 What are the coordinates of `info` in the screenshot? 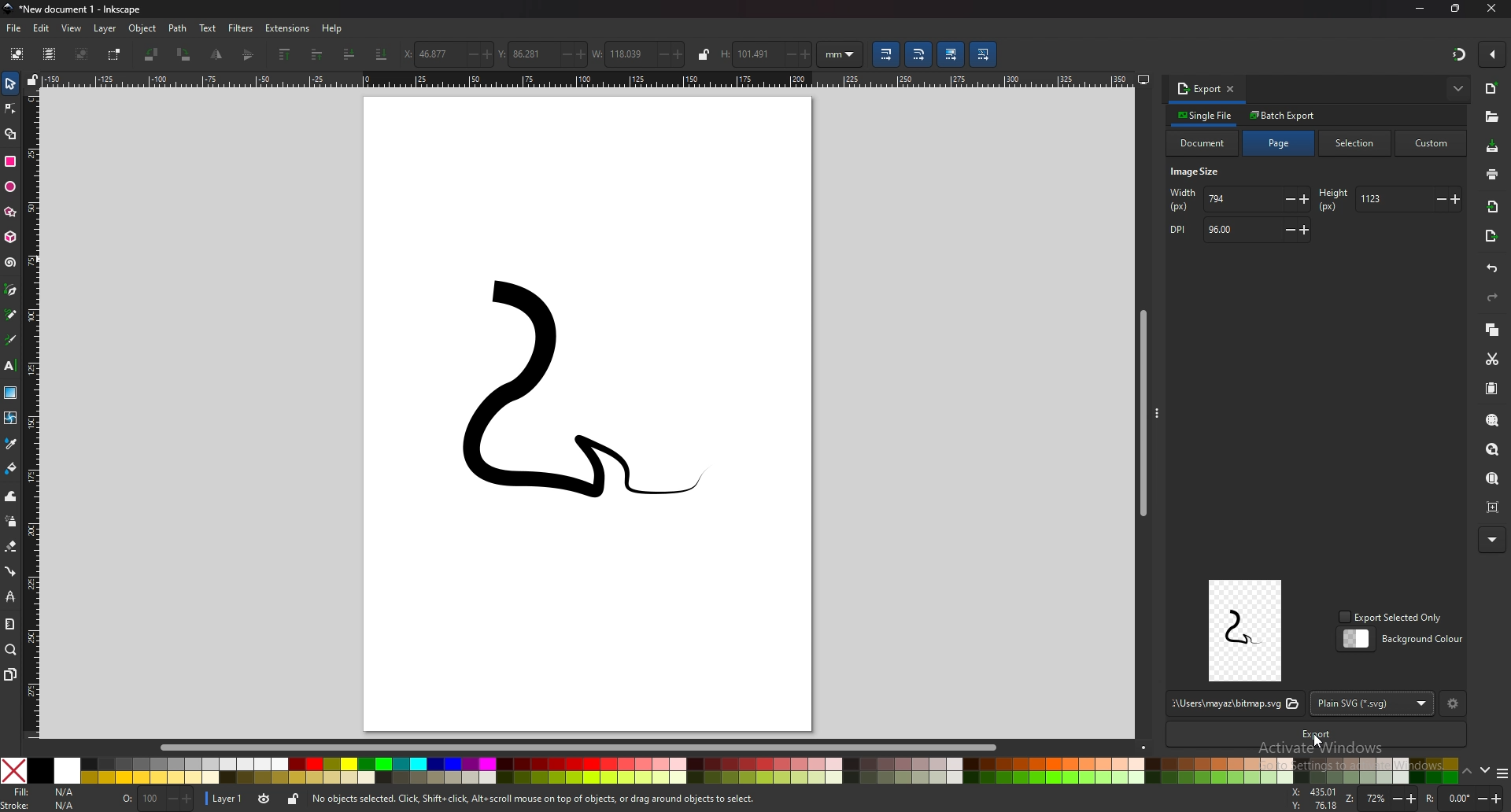 It's located at (535, 799).